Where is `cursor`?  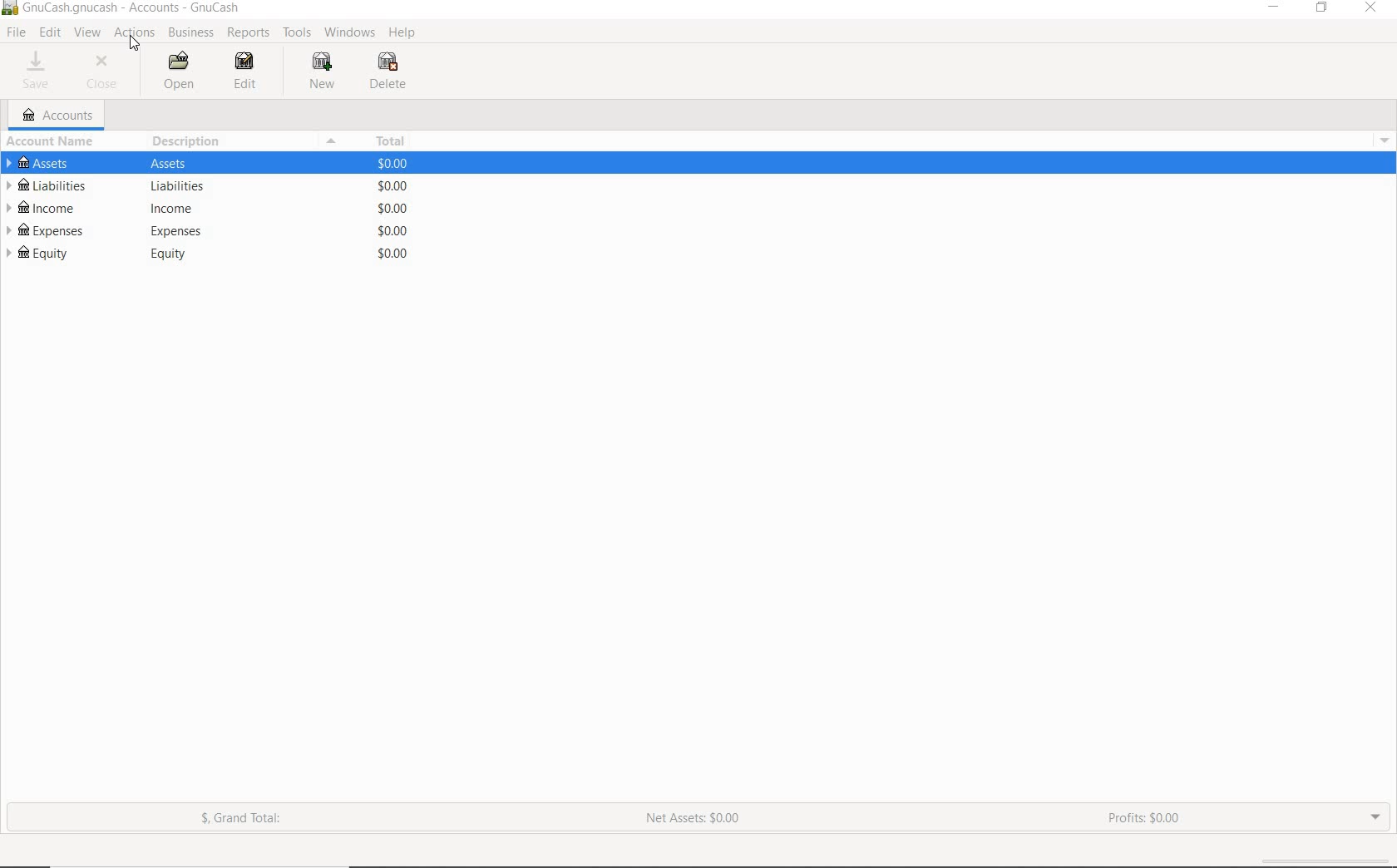 cursor is located at coordinates (137, 45).